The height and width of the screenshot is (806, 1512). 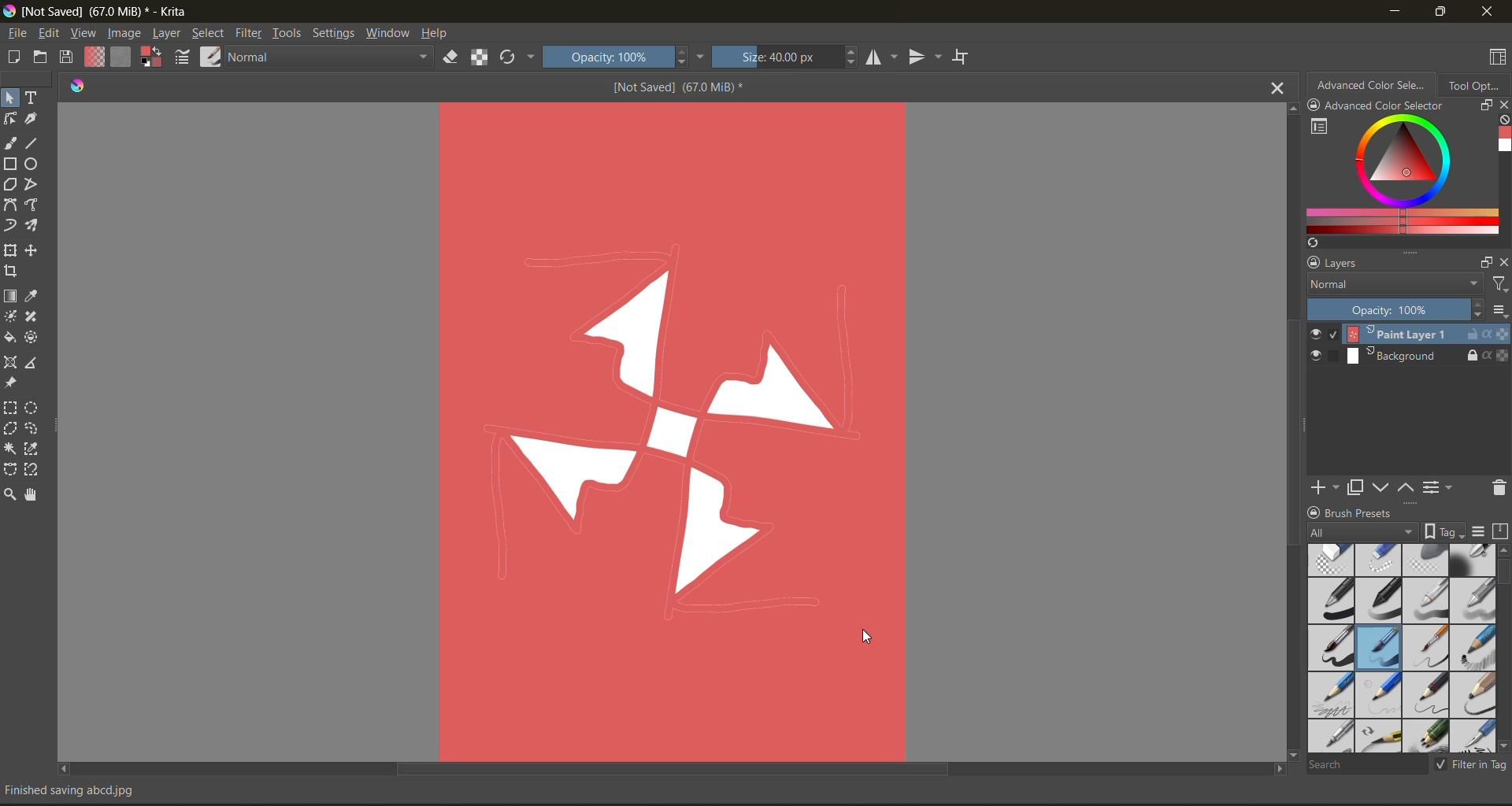 I want to click on Software logo, so click(x=82, y=88).